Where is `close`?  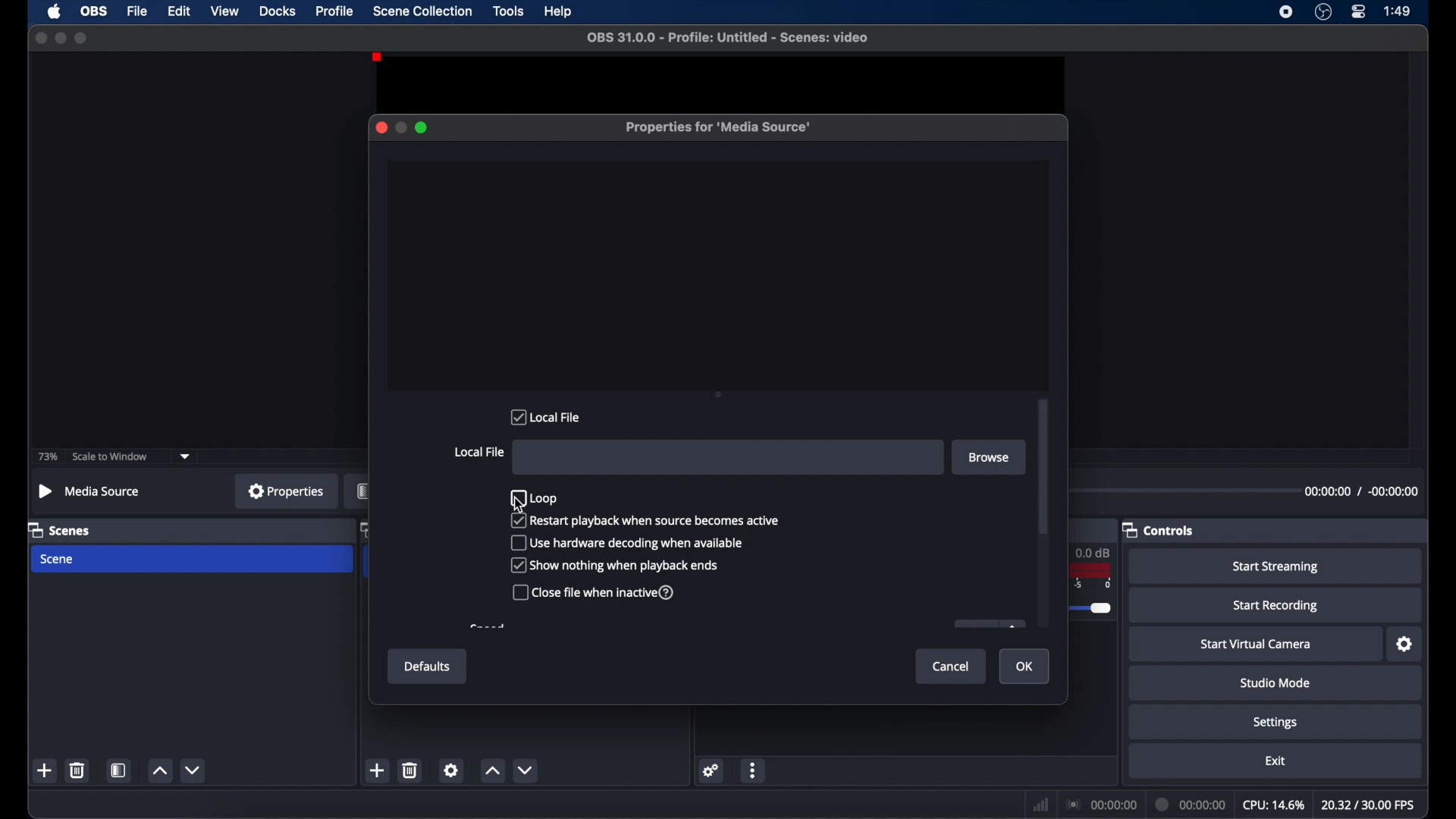
close is located at coordinates (378, 127).